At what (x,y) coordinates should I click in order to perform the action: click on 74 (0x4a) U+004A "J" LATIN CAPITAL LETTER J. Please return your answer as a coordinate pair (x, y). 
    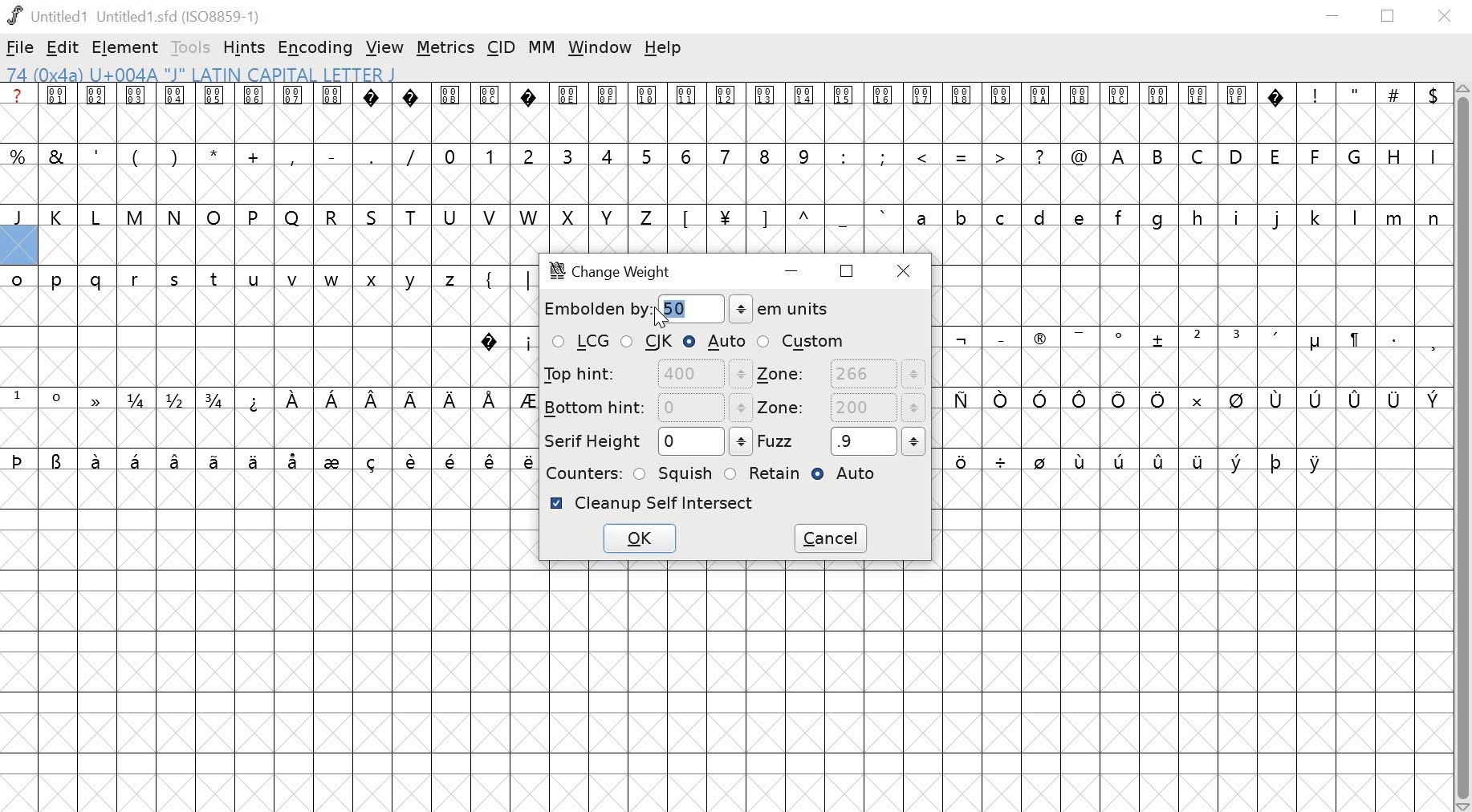
    Looking at the image, I should click on (303, 74).